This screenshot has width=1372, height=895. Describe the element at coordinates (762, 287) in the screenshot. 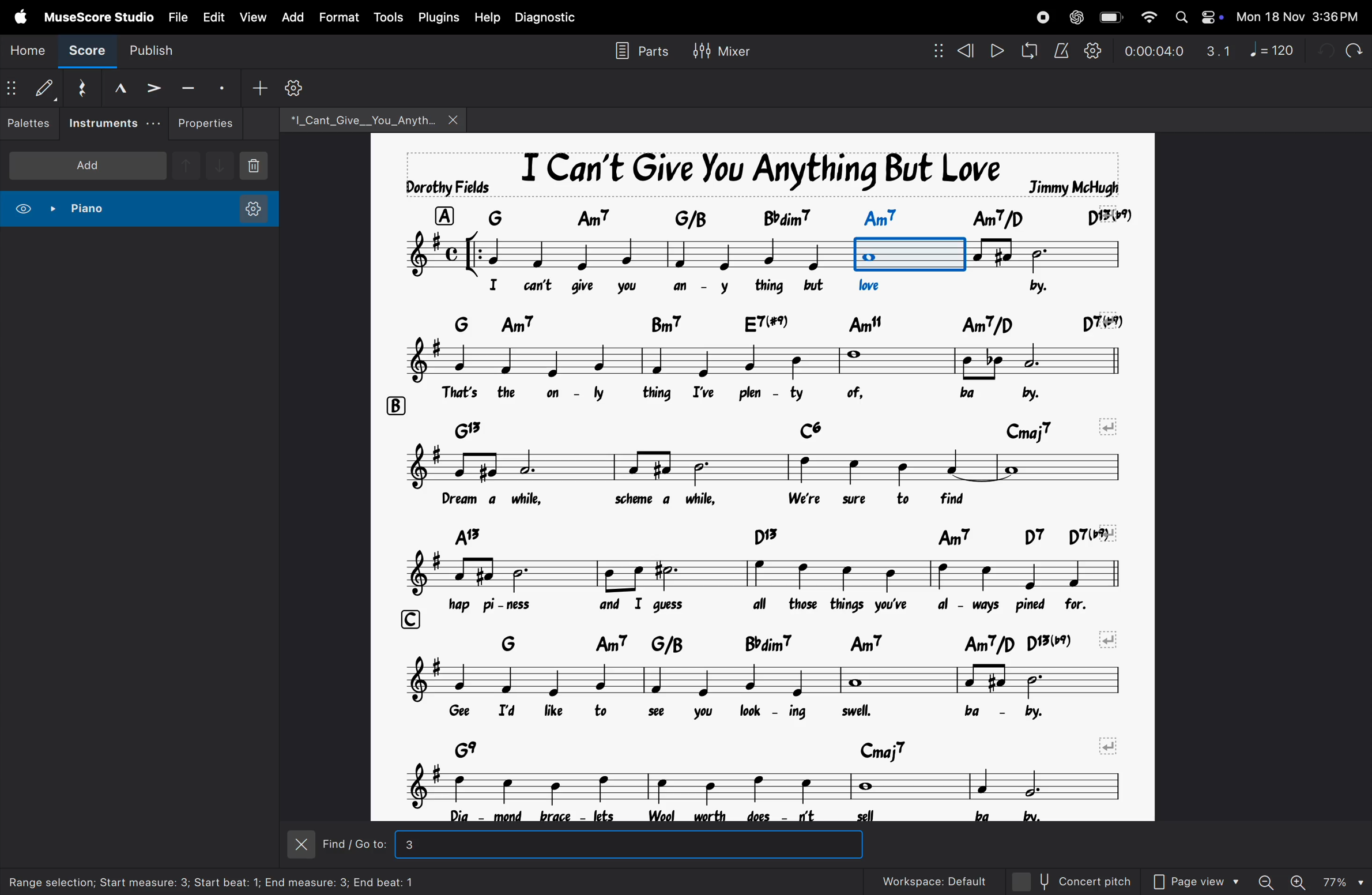

I see `lyrics` at that location.